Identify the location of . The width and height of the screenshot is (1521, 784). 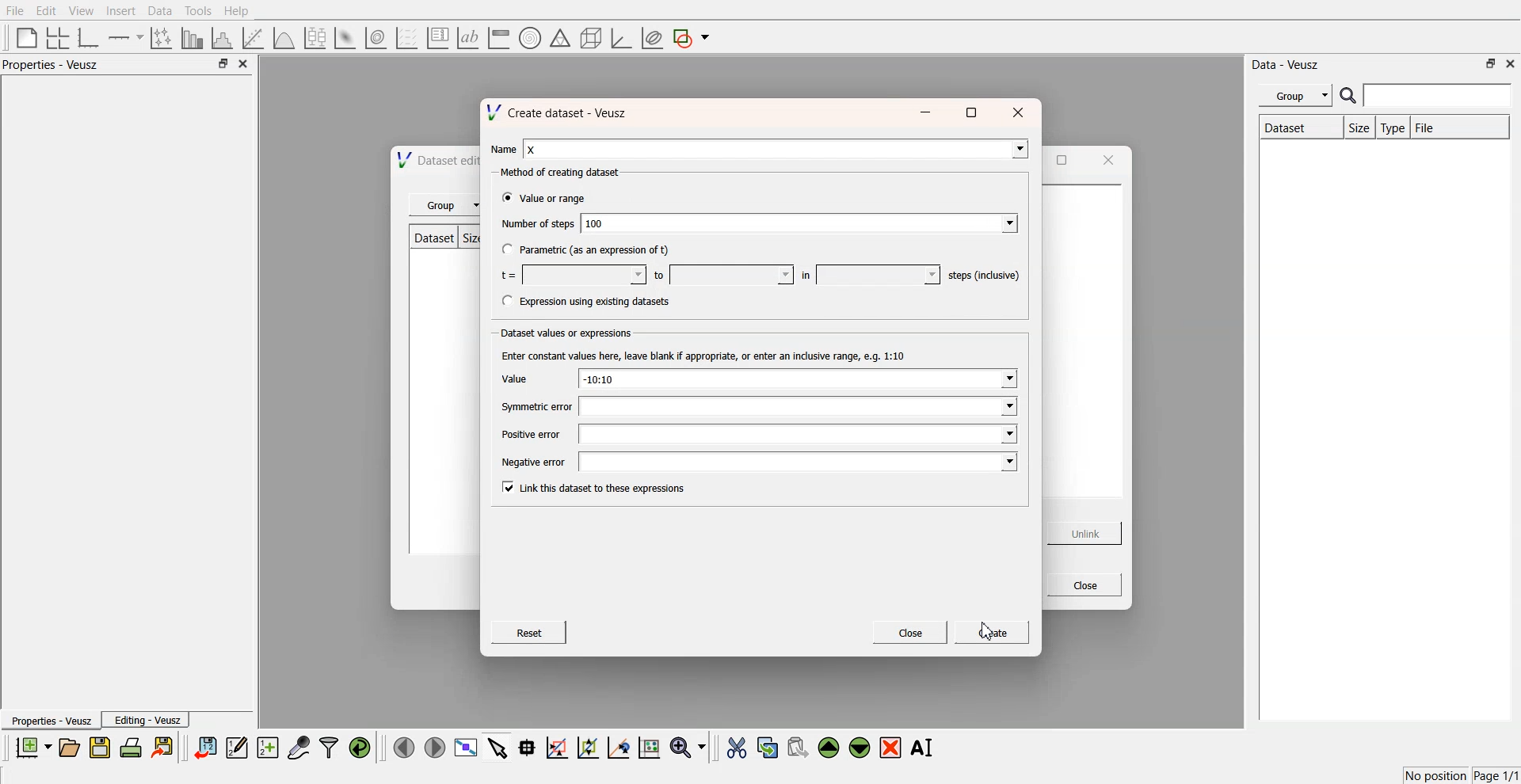
(1295, 96).